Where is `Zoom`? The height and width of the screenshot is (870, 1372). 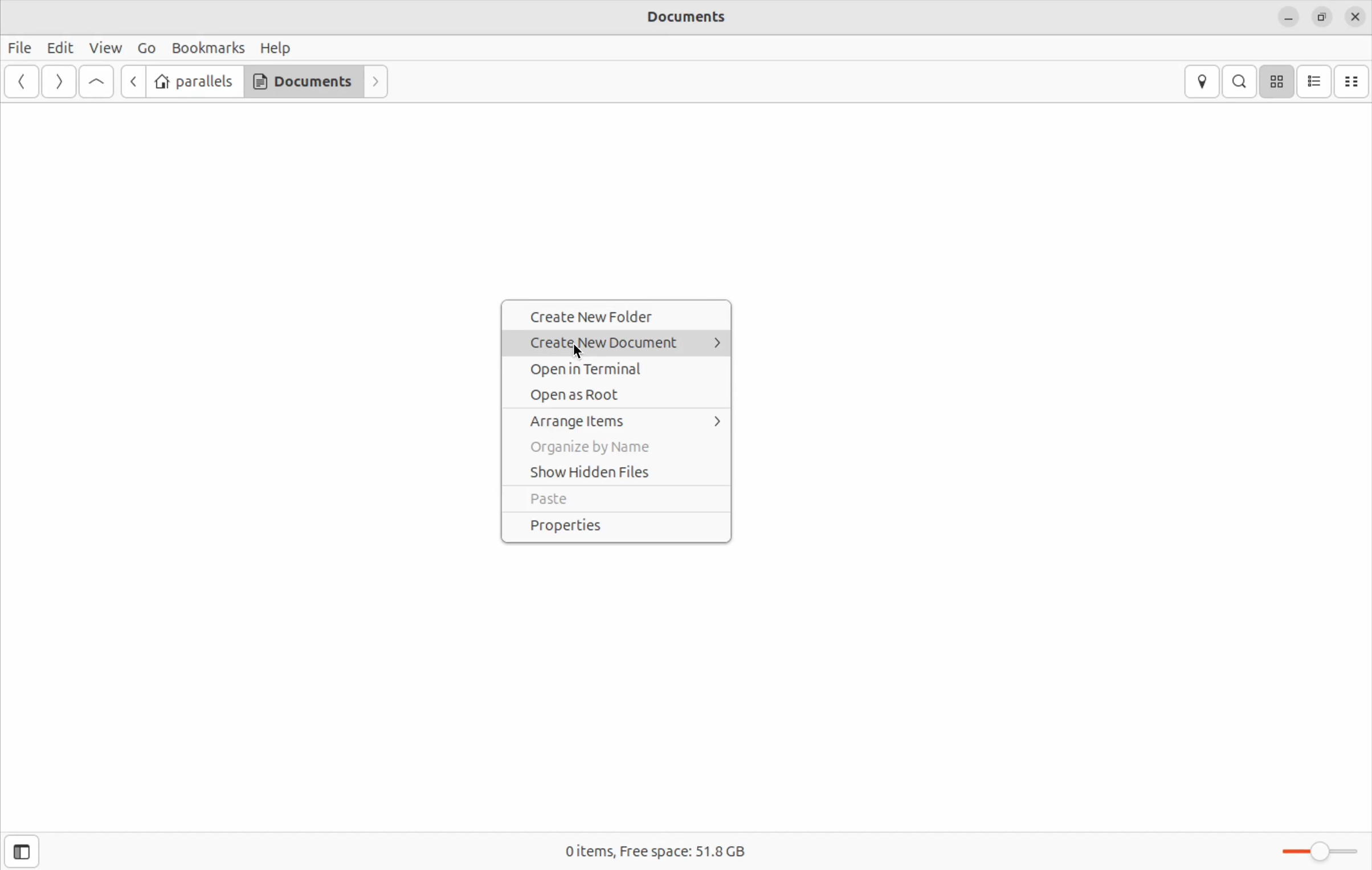
Zoom is located at coordinates (1320, 849).